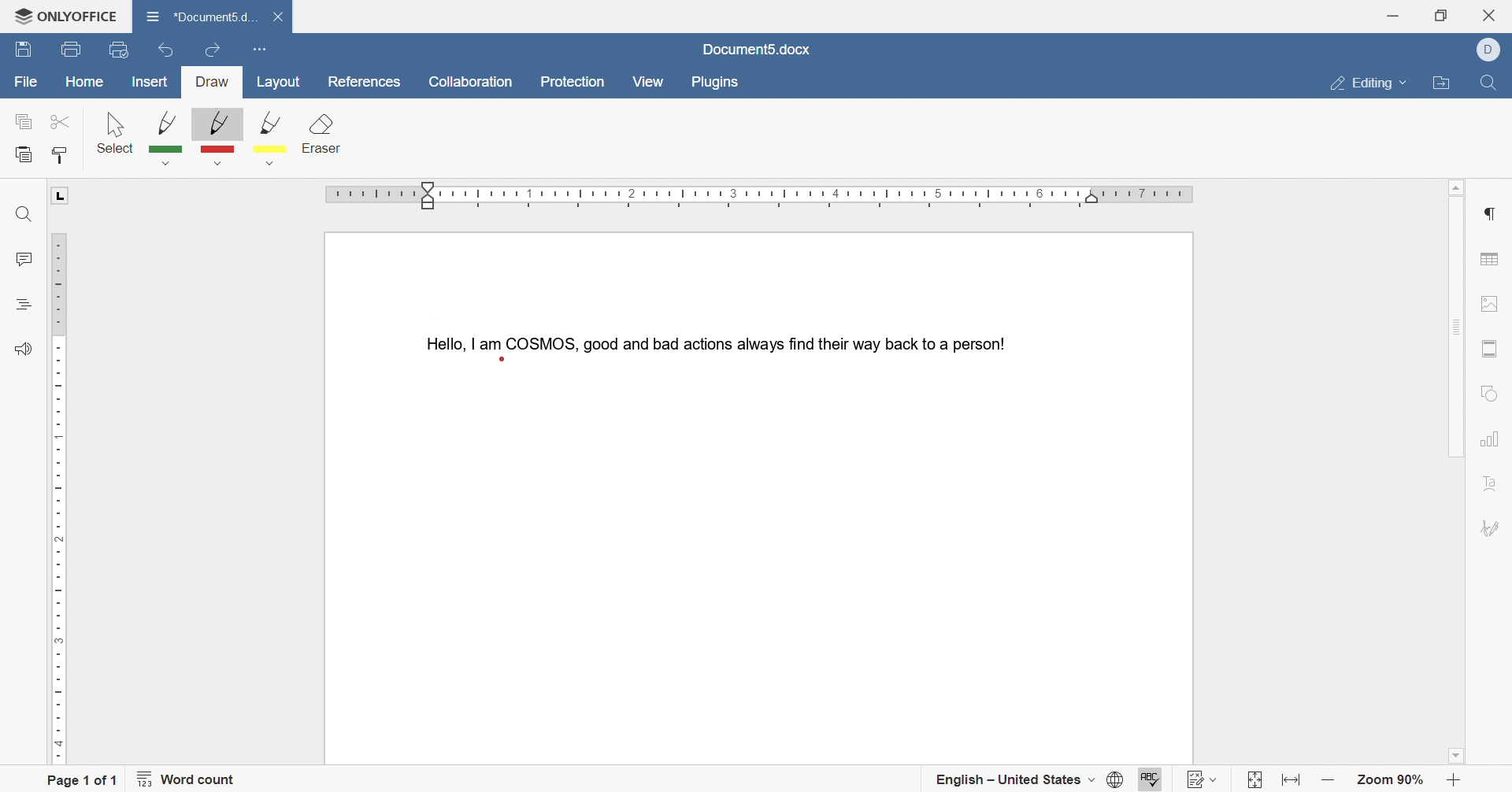  Describe the element at coordinates (1489, 487) in the screenshot. I see `text art settings` at that location.